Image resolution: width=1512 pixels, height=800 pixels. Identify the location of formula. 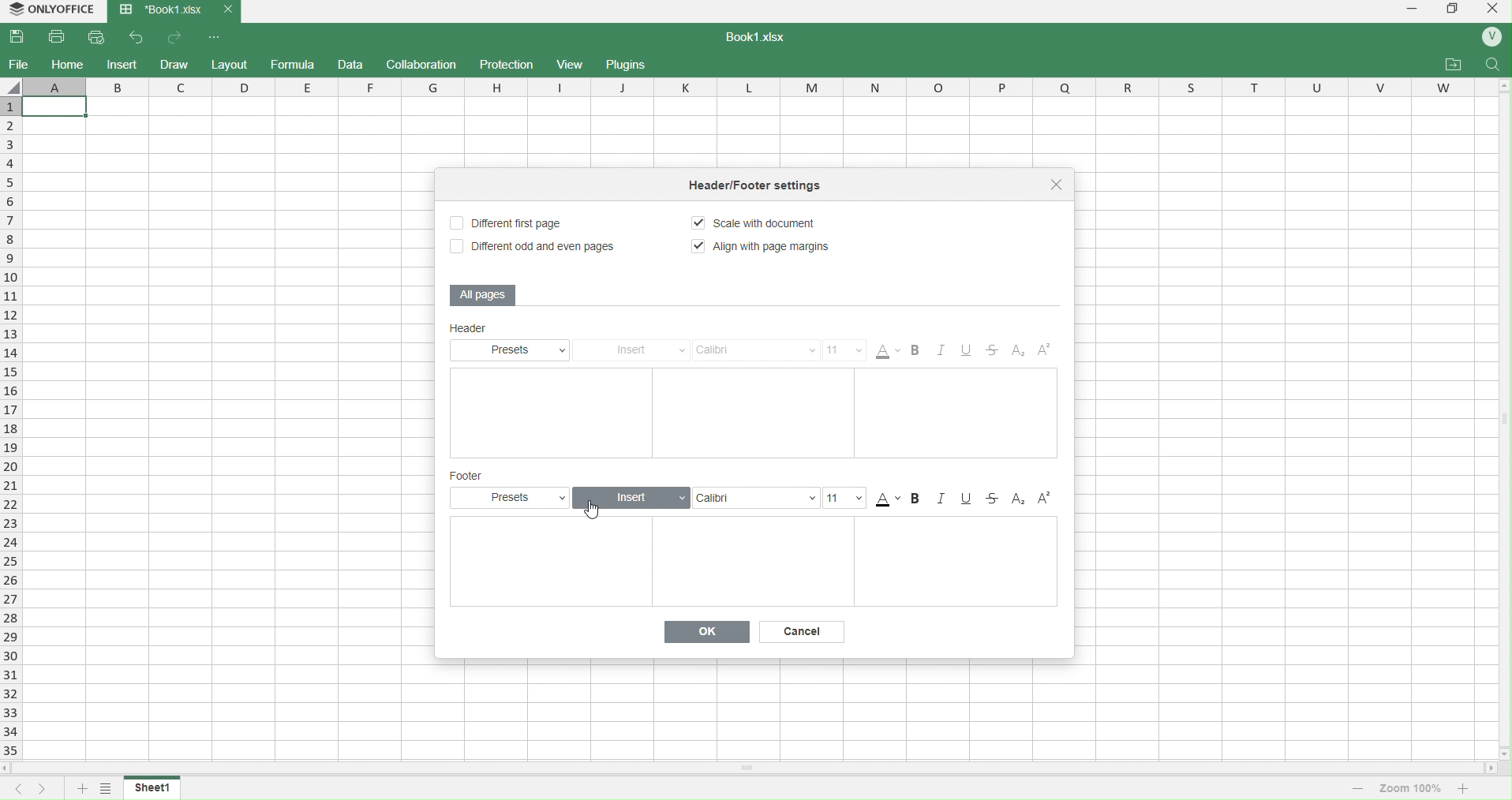
(293, 65).